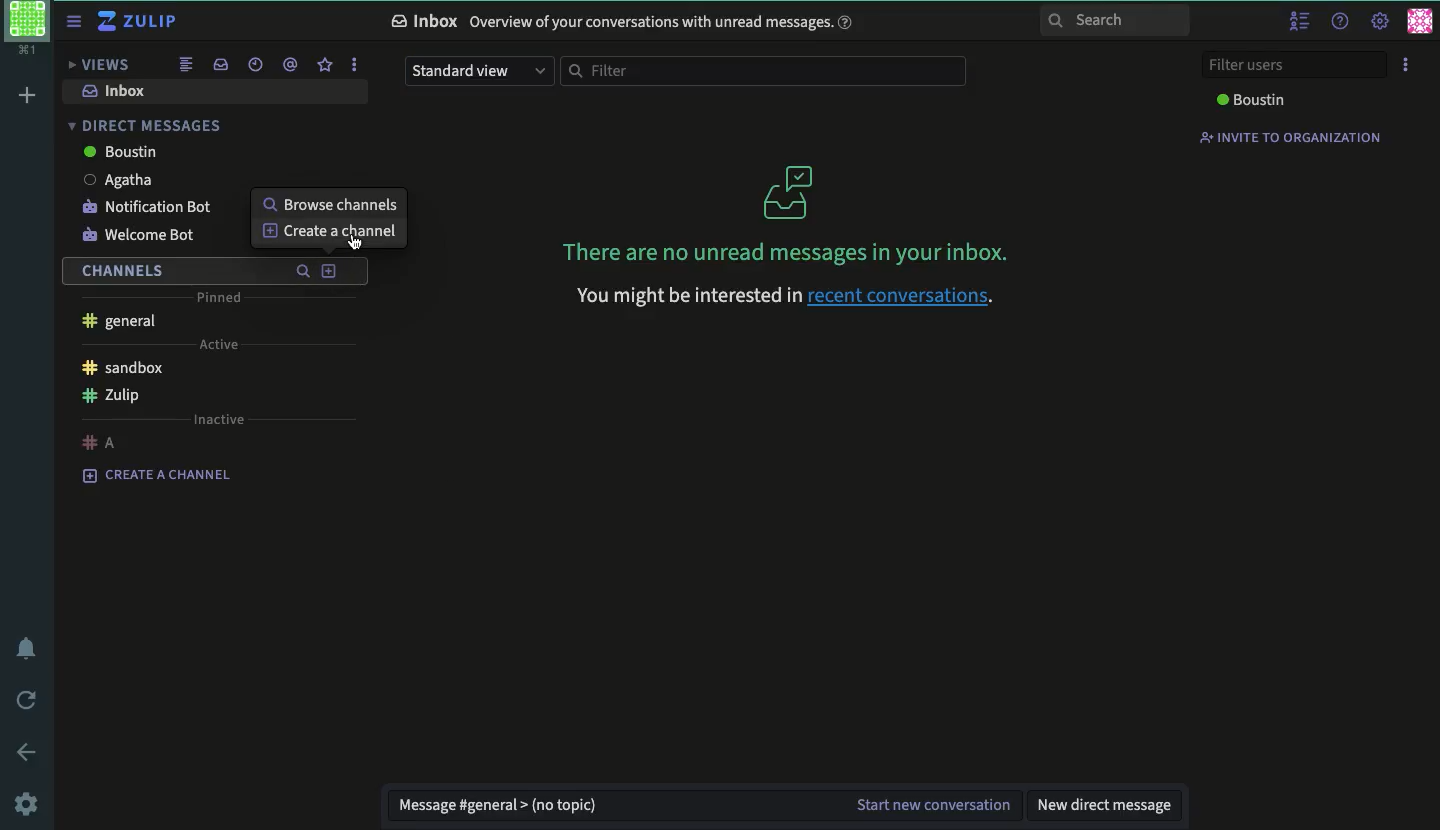 This screenshot has width=1440, height=830. Describe the element at coordinates (1420, 20) in the screenshot. I see `user profile` at that location.